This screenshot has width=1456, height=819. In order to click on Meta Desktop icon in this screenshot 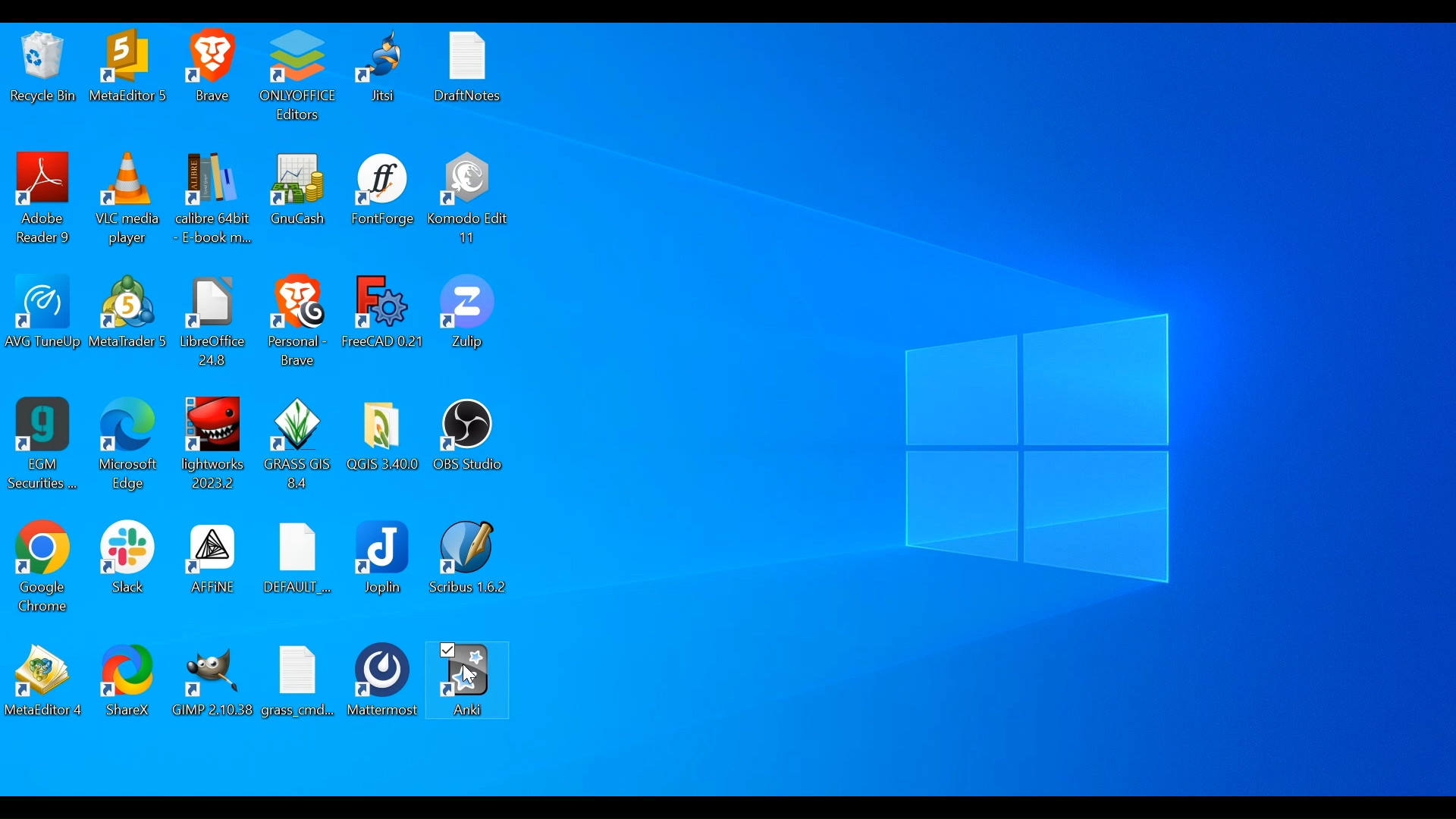, I will do `click(128, 67)`.